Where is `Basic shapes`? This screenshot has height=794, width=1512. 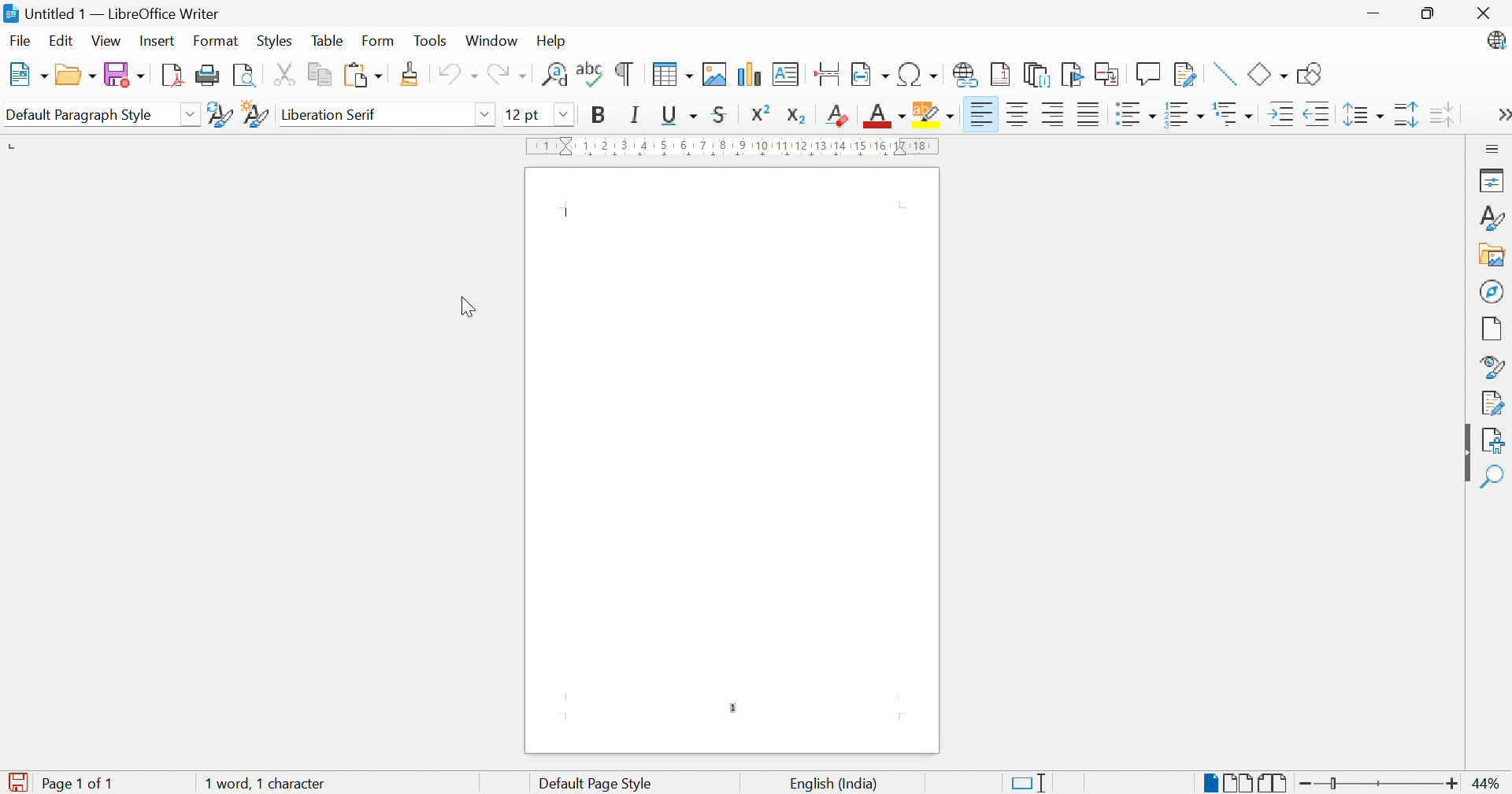
Basic shapes is located at coordinates (1267, 76).